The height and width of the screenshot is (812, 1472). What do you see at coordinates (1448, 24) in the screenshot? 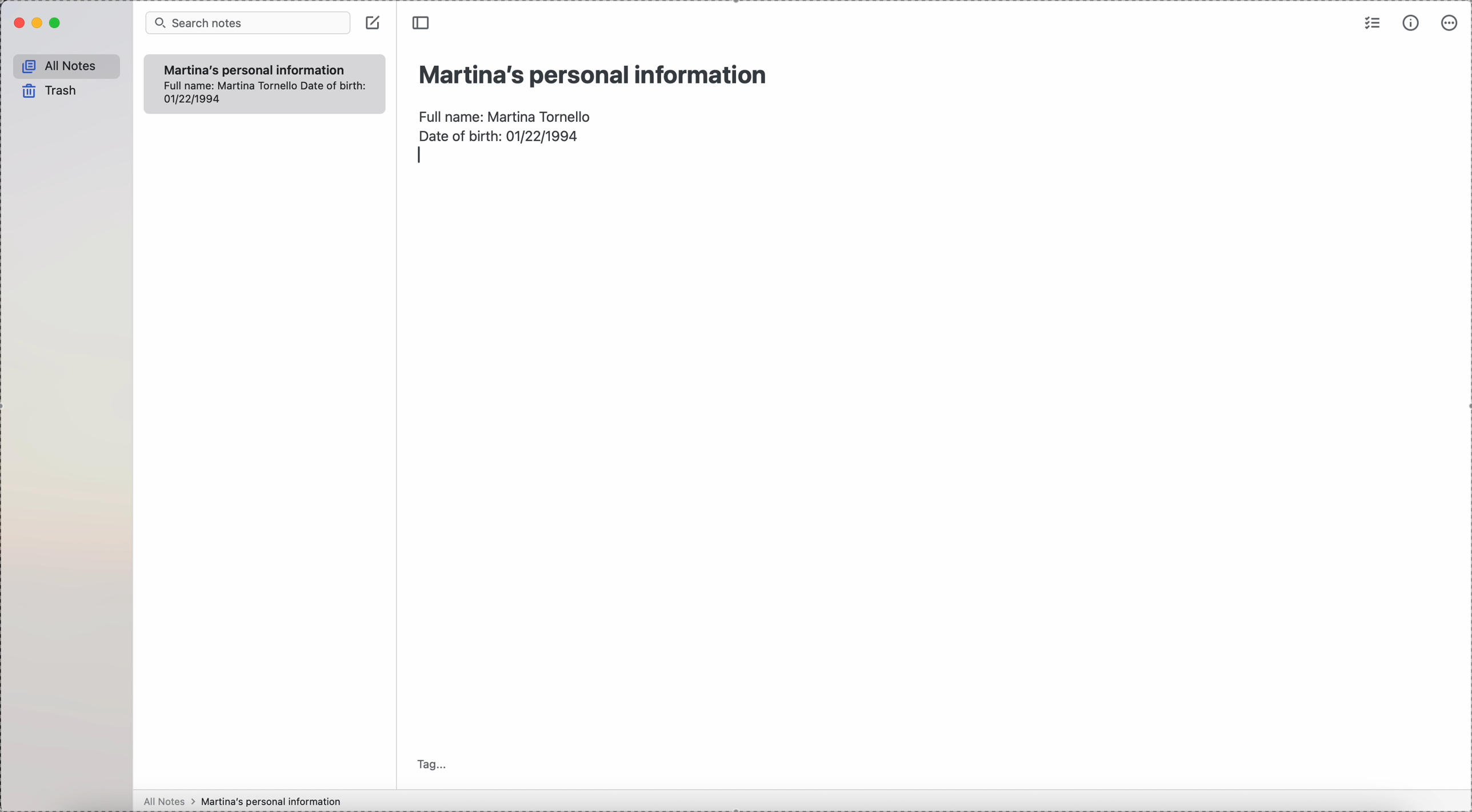
I see `more options` at bounding box center [1448, 24].